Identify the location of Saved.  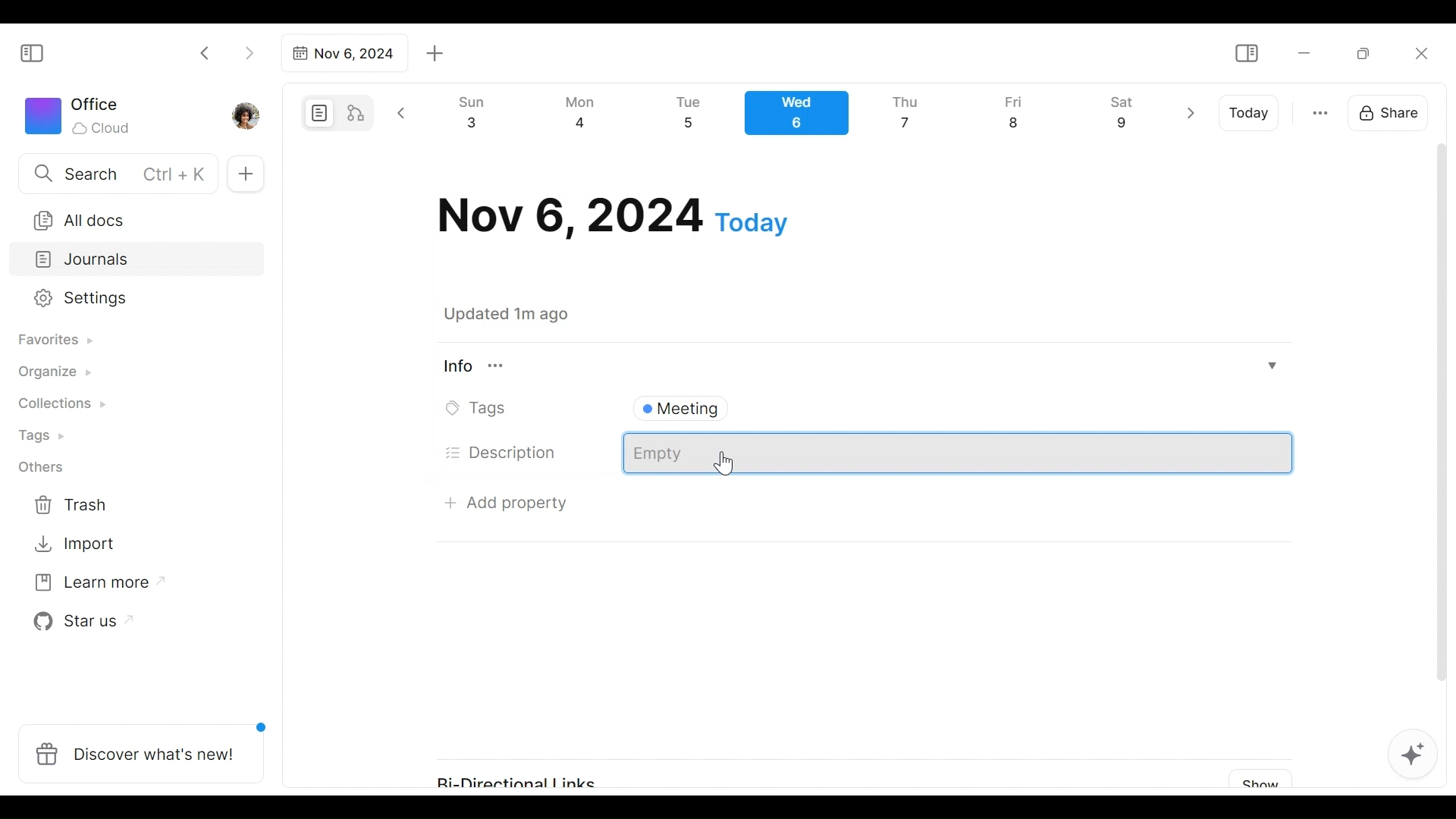
(525, 314).